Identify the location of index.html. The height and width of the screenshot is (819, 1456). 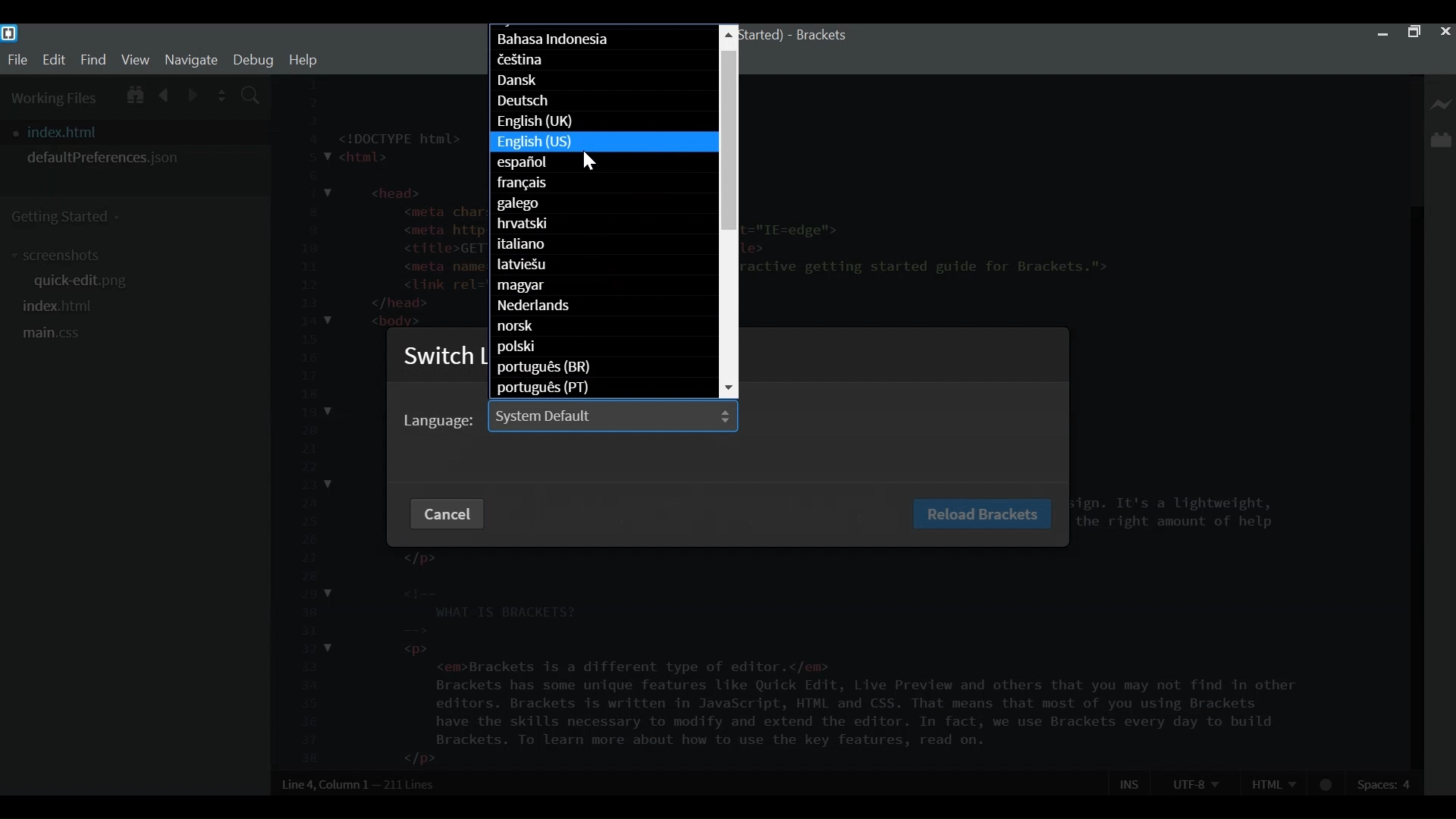
(140, 132).